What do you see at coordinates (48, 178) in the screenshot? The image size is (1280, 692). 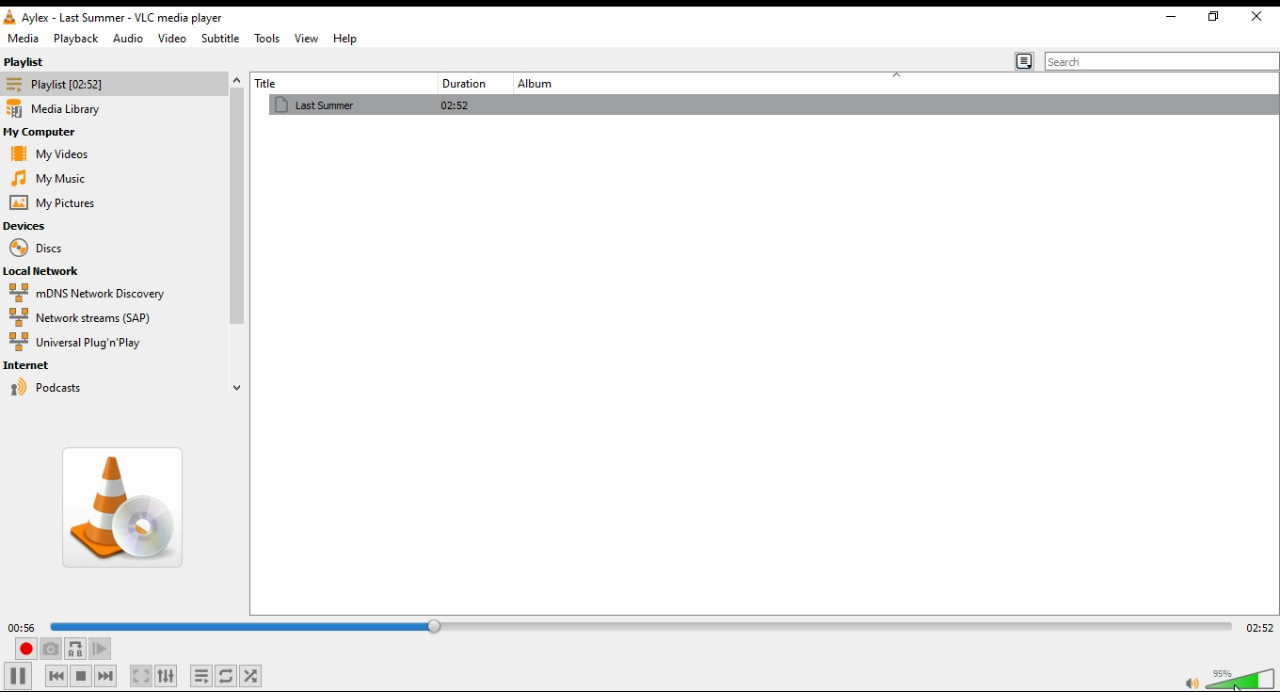 I see `my music` at bounding box center [48, 178].